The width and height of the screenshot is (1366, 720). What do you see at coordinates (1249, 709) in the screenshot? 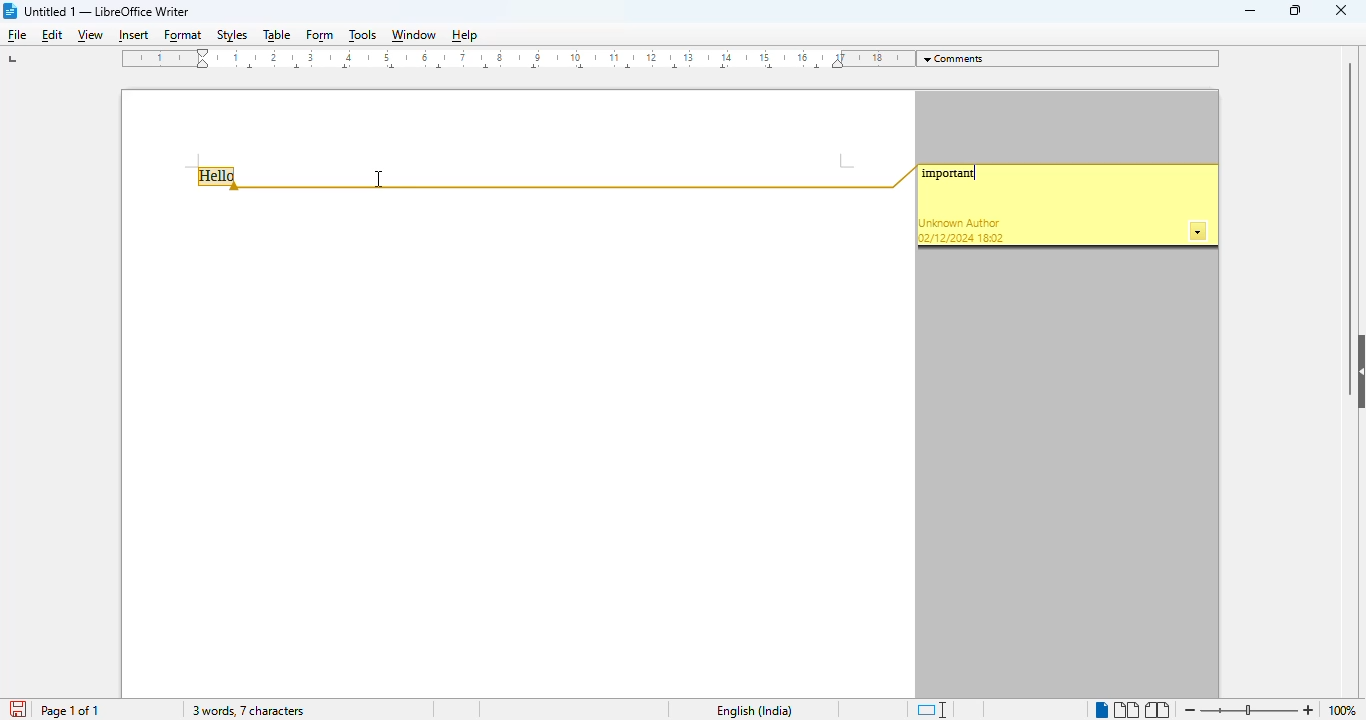
I see `zoom` at bounding box center [1249, 709].